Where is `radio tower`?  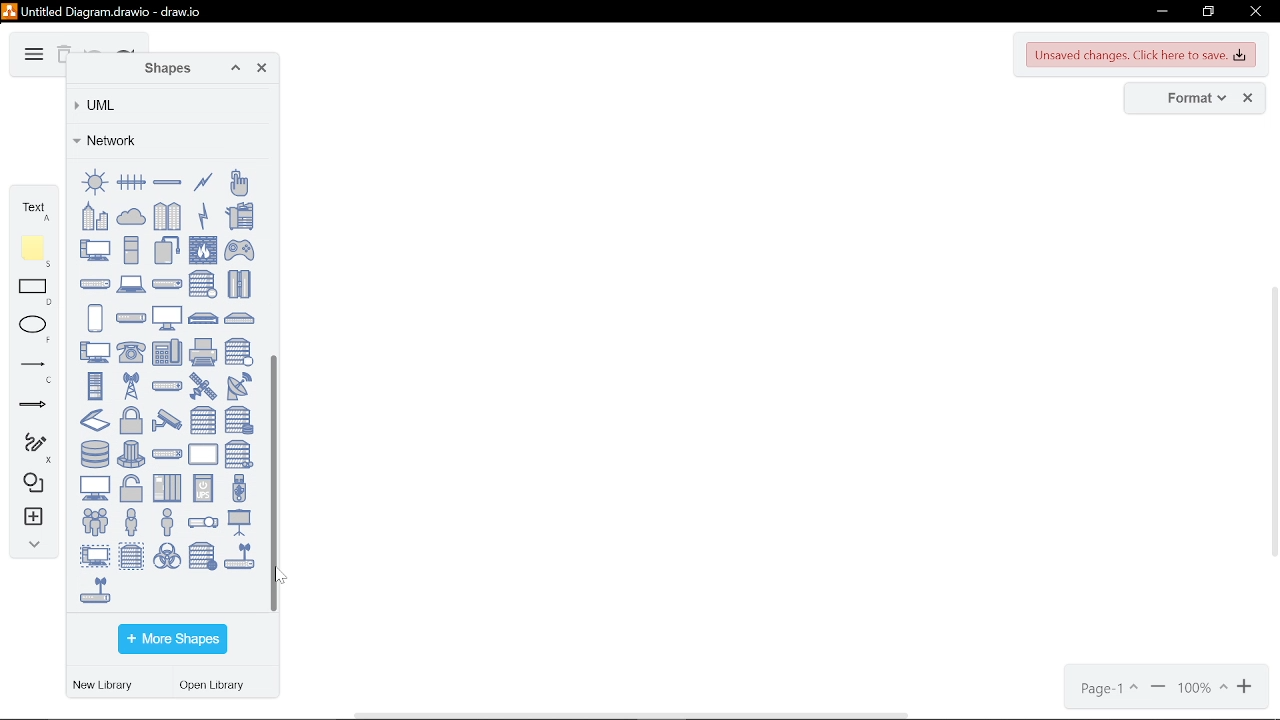 radio tower is located at coordinates (131, 385).